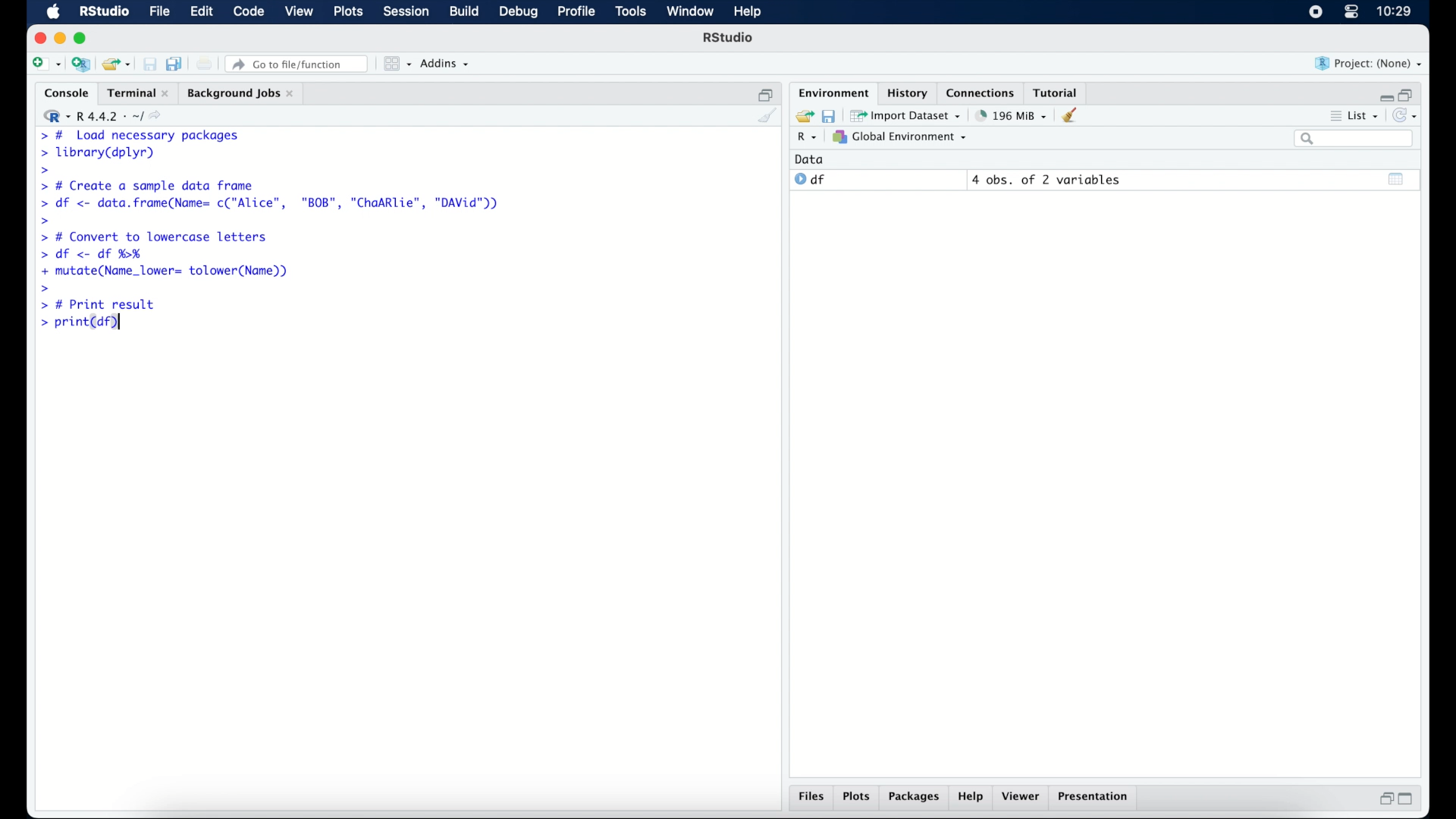  I want to click on plots, so click(858, 798).